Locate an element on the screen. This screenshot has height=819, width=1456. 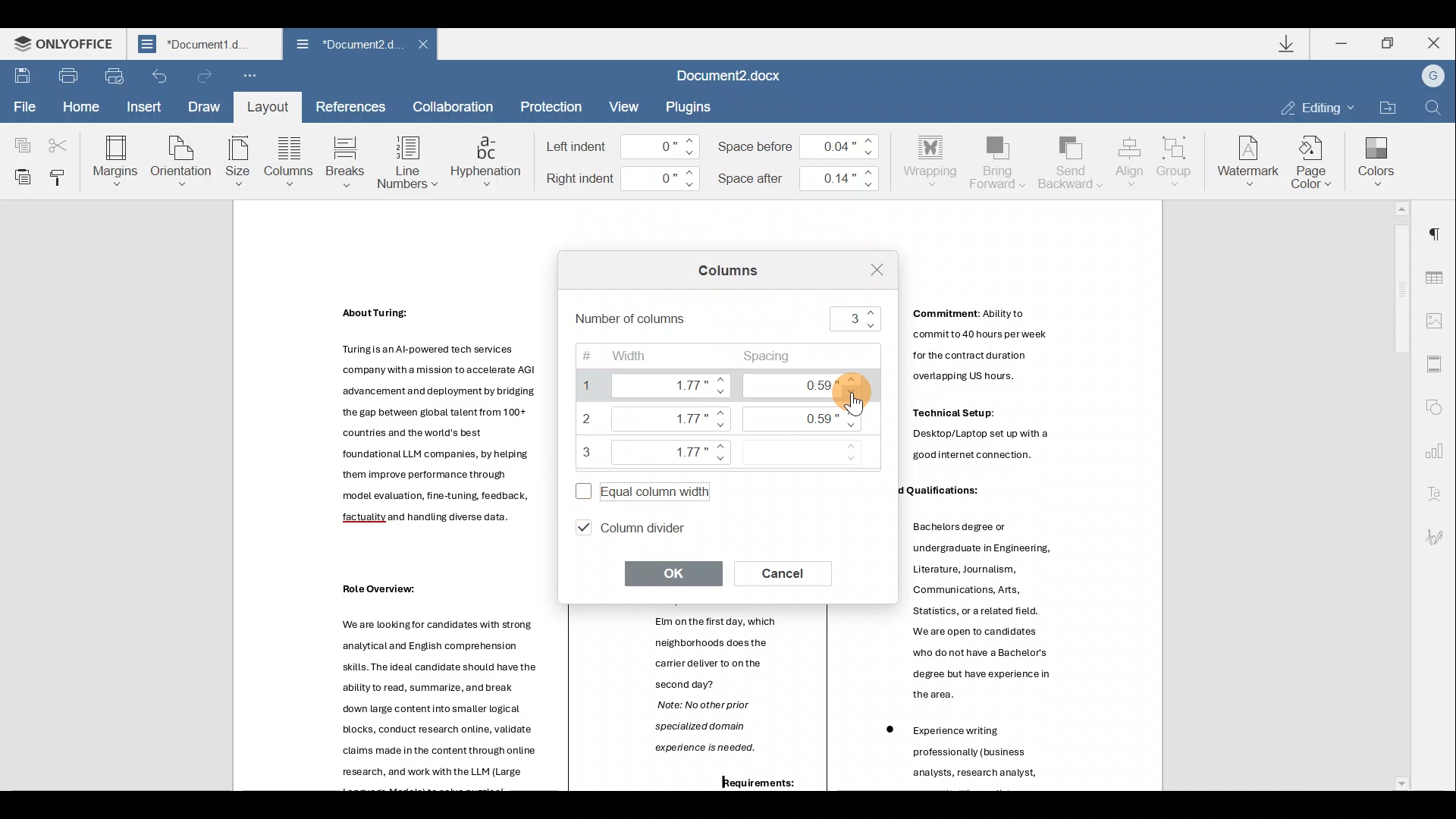
Maximize is located at coordinates (1389, 42).